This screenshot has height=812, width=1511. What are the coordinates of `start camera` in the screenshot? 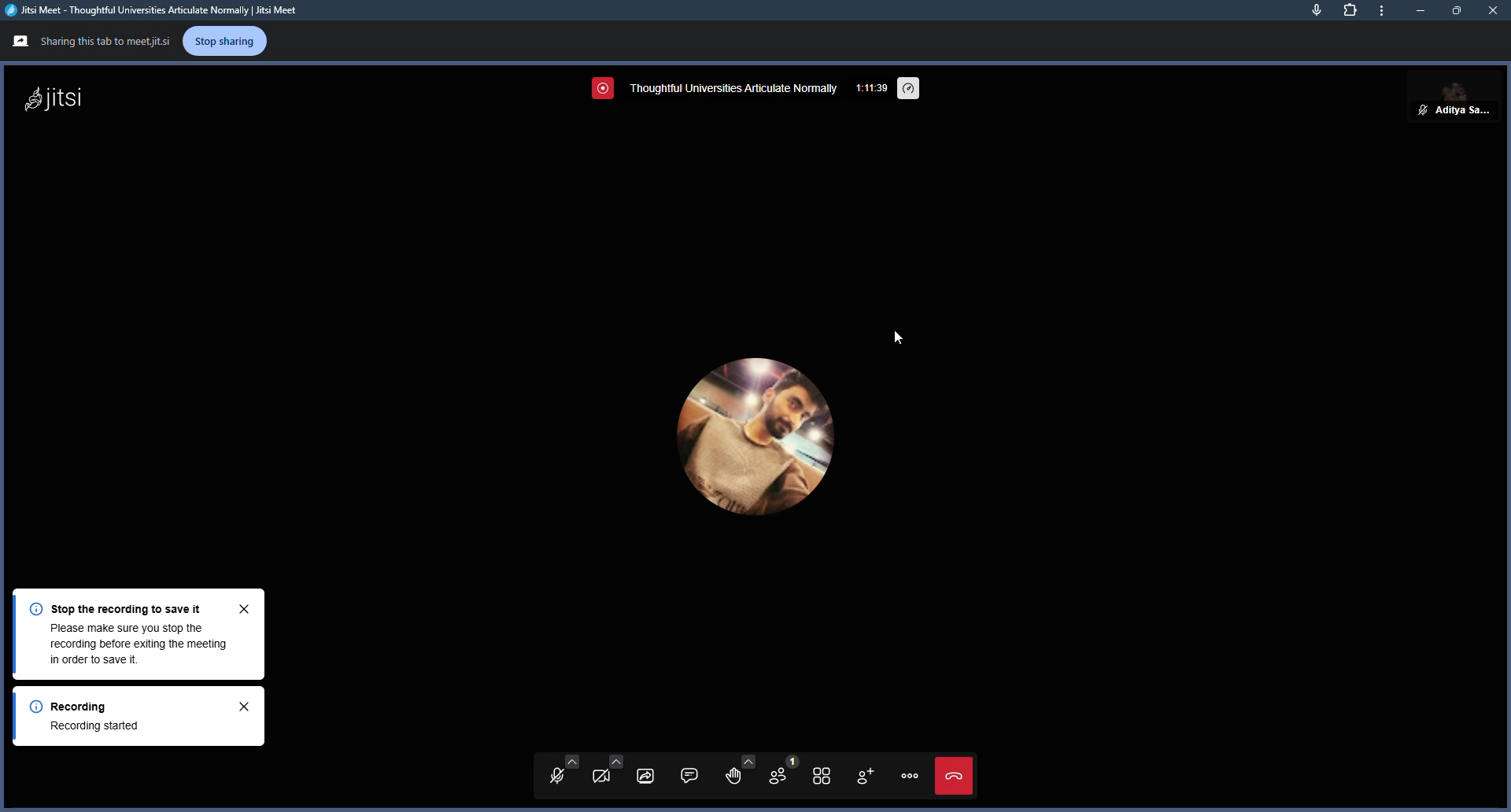 It's located at (604, 779).